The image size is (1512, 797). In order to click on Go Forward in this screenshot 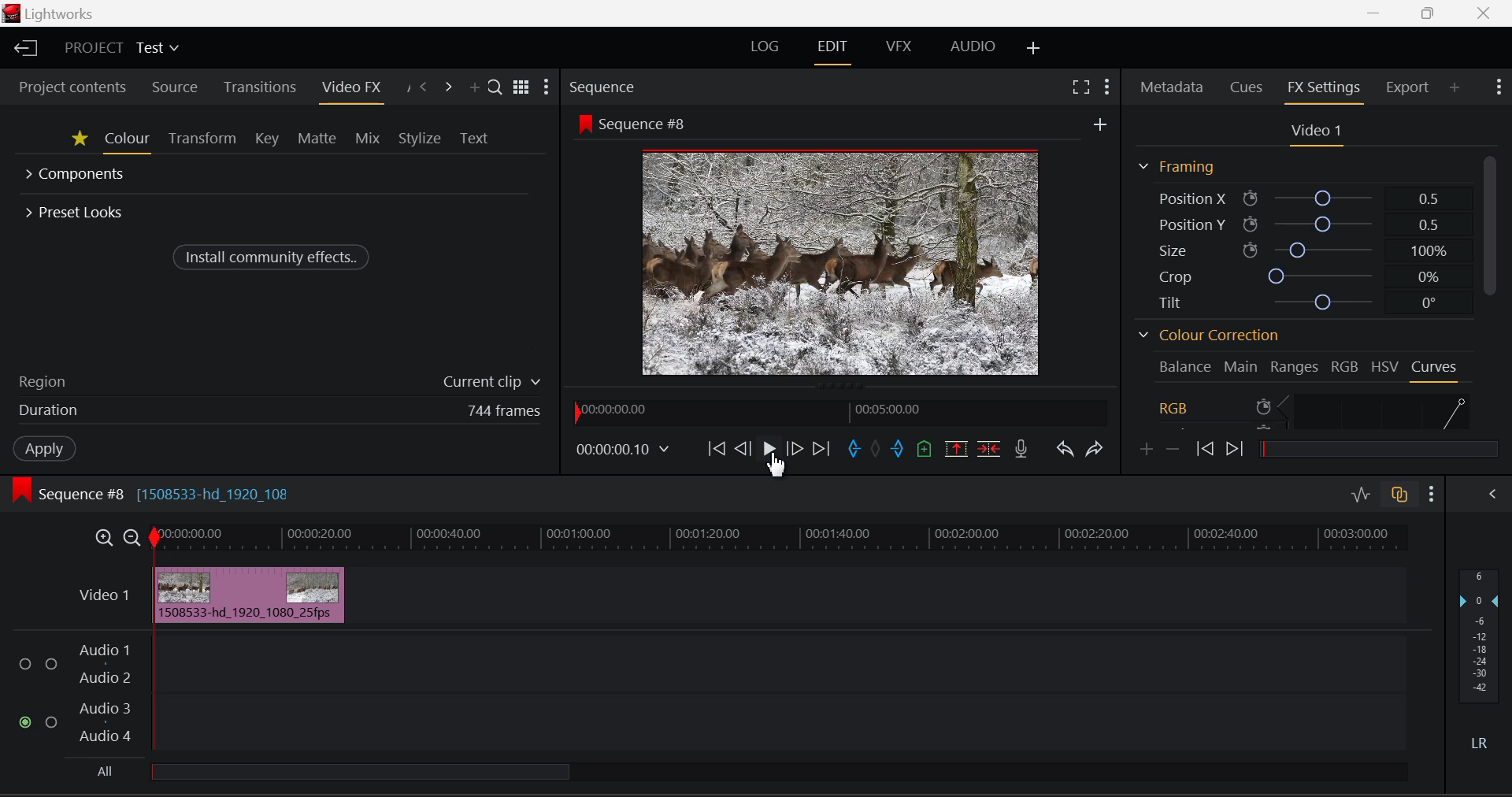, I will do `click(795, 447)`.